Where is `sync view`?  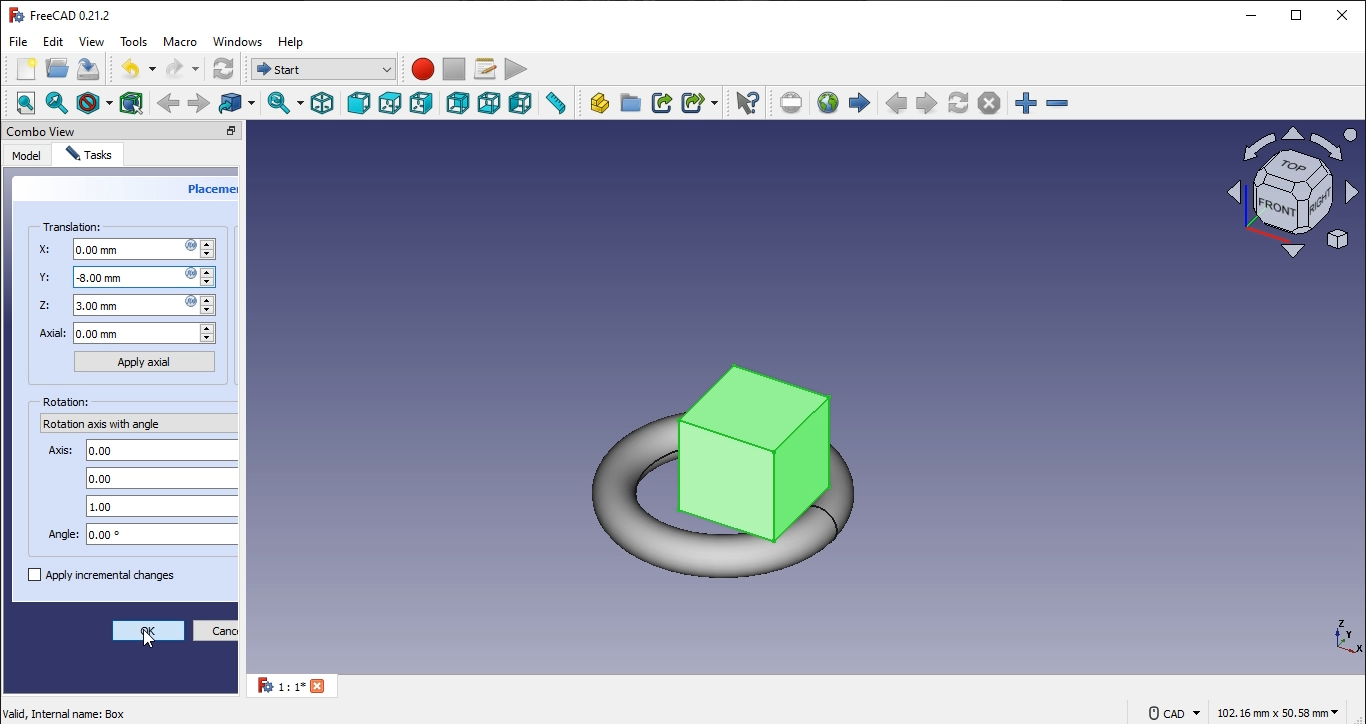
sync view is located at coordinates (284, 104).